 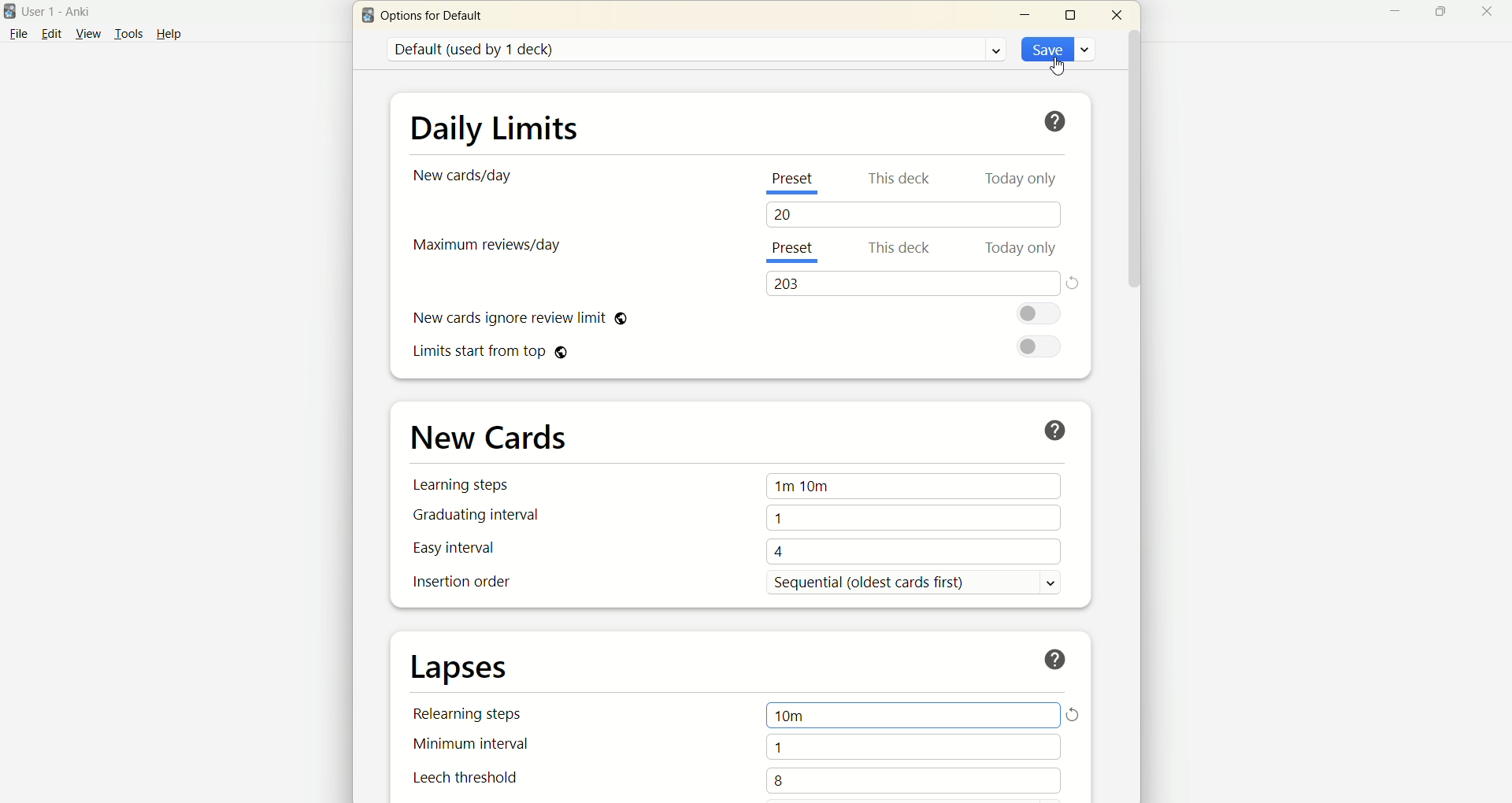 I want to click on close, so click(x=1117, y=13).